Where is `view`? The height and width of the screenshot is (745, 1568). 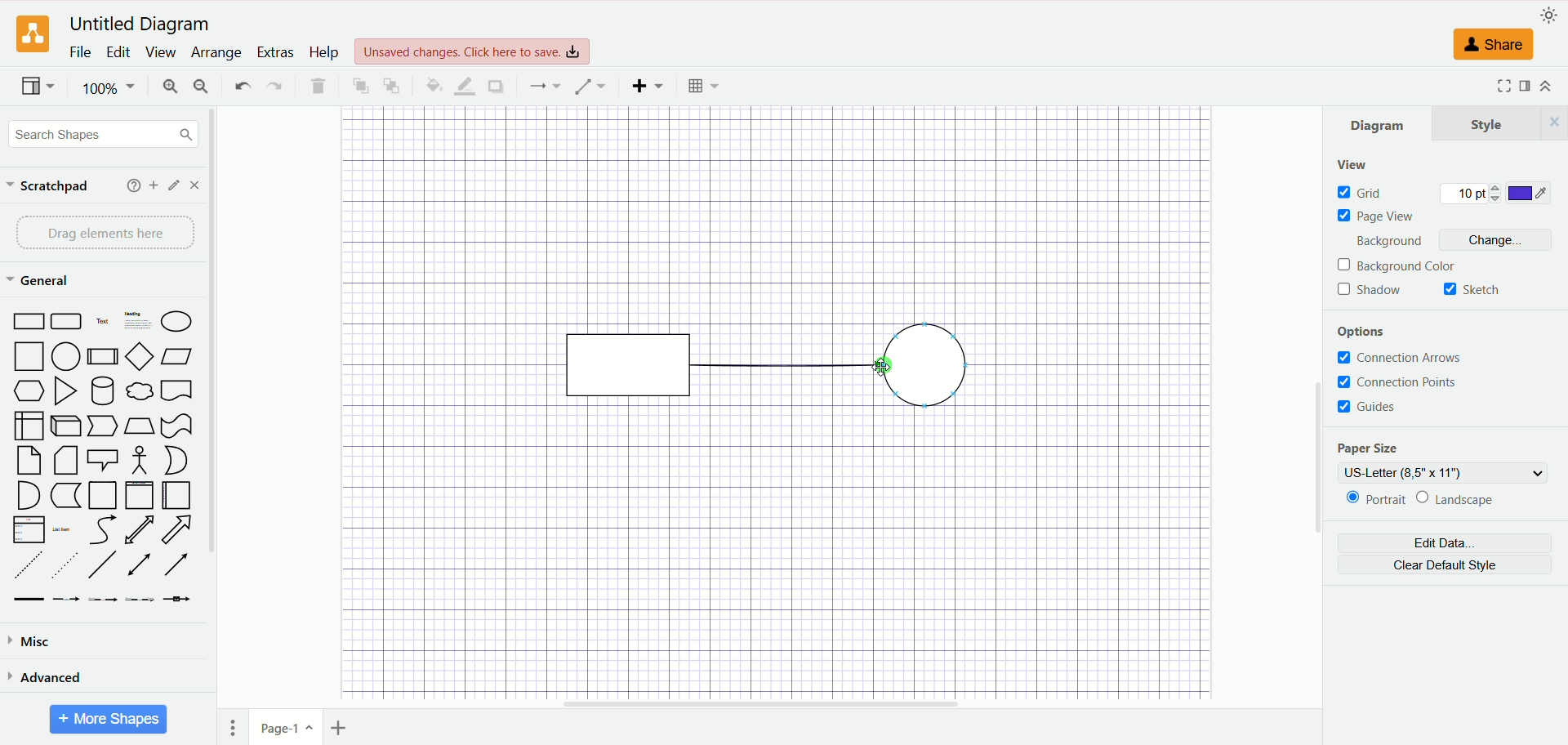 view is located at coordinates (1359, 163).